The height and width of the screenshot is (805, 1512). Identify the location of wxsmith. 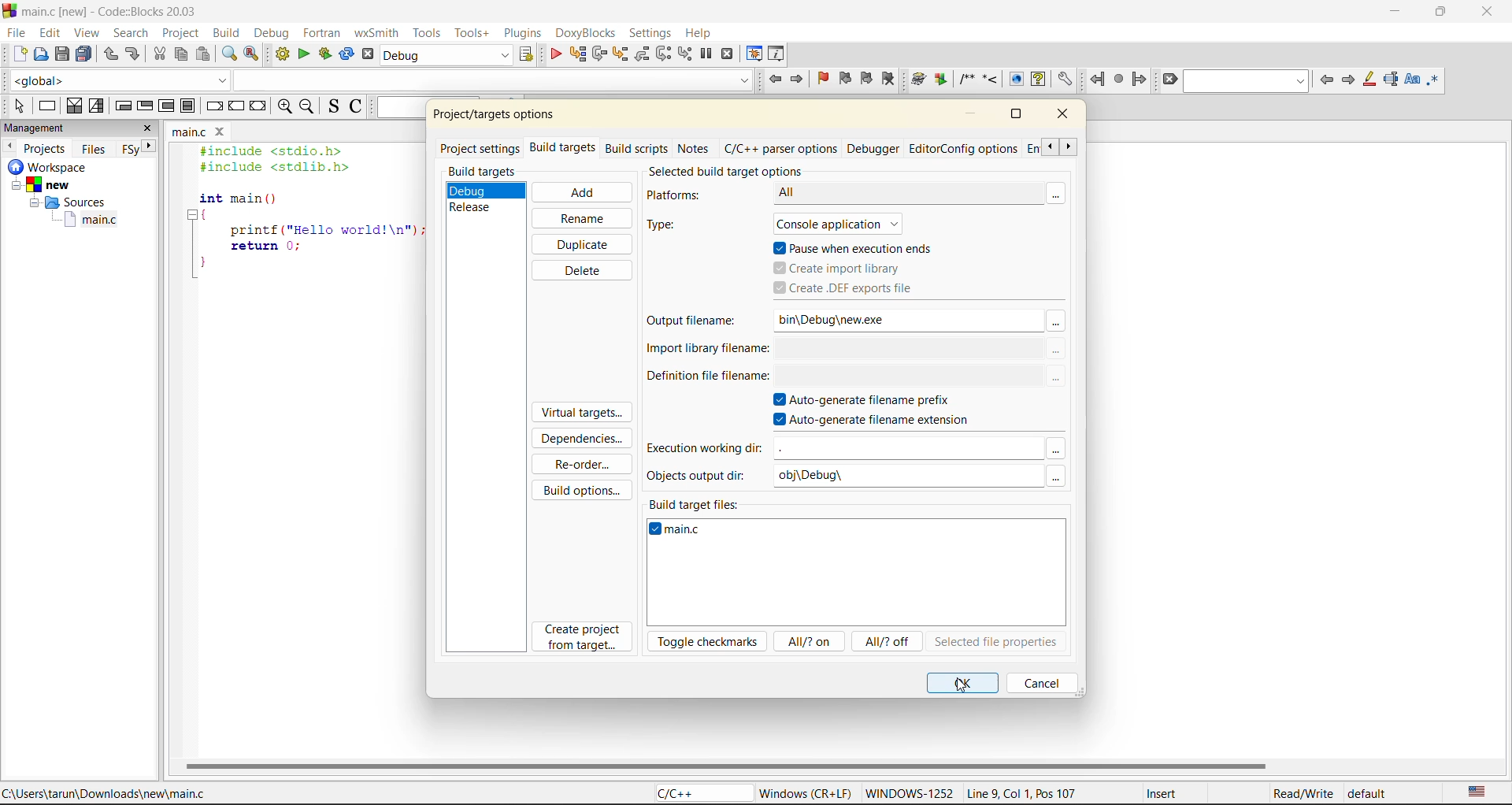
(374, 35).